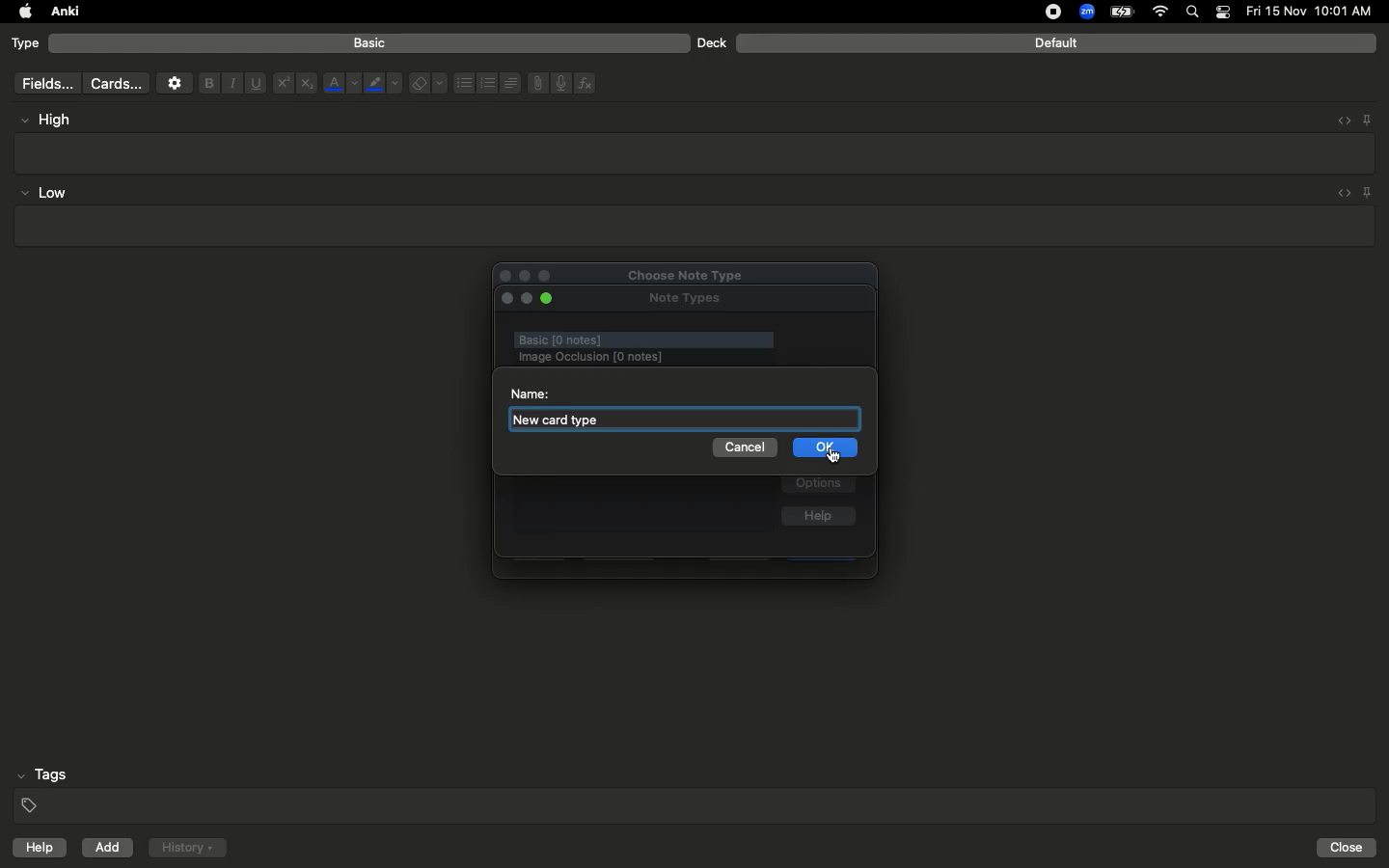  I want to click on Ok, so click(821, 446).